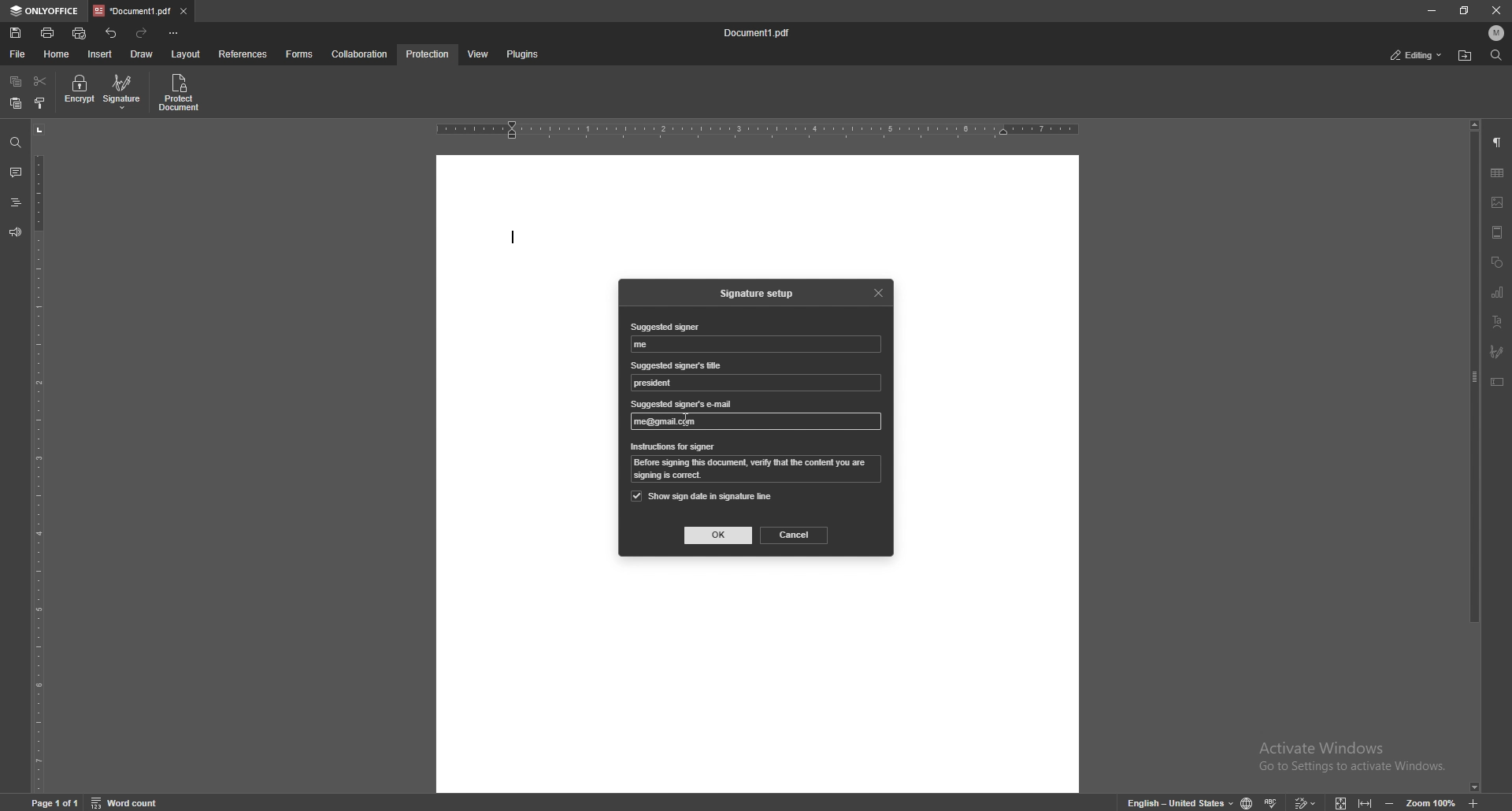 This screenshot has height=811, width=1512. What do you see at coordinates (132, 10) in the screenshot?
I see `tab` at bounding box center [132, 10].